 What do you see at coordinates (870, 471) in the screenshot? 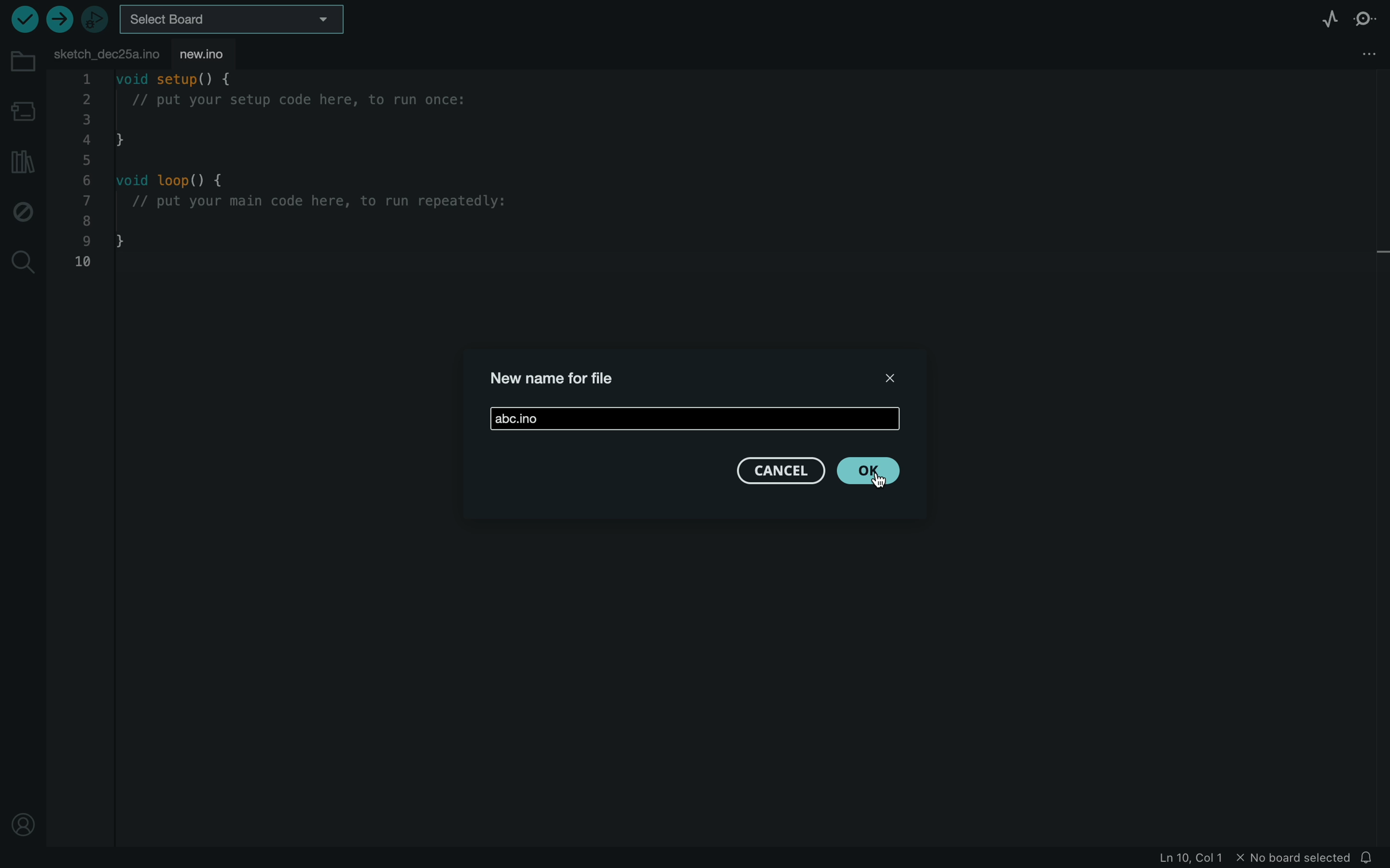
I see `clicked` at bounding box center [870, 471].